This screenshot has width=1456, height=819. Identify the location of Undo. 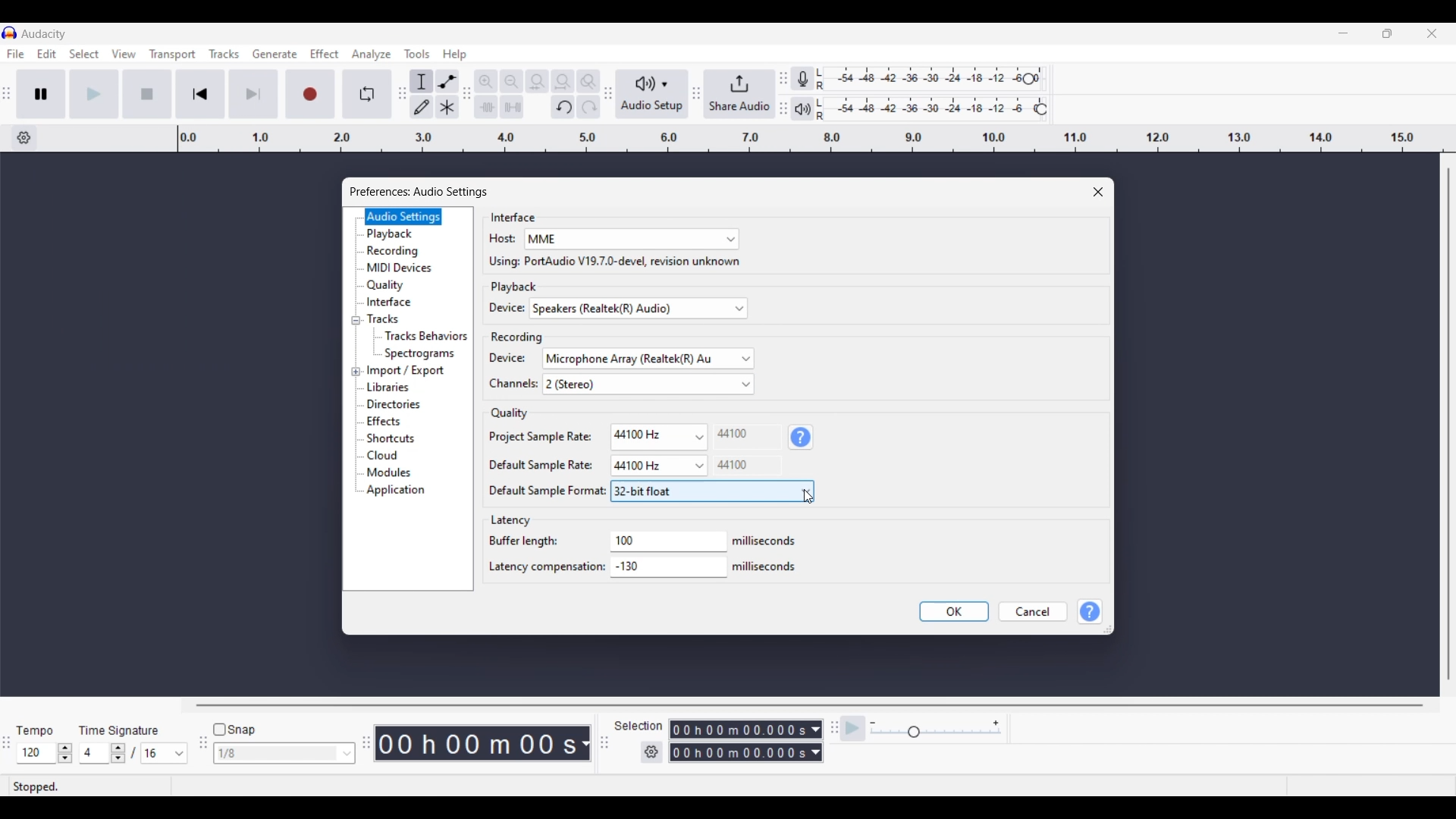
(563, 107).